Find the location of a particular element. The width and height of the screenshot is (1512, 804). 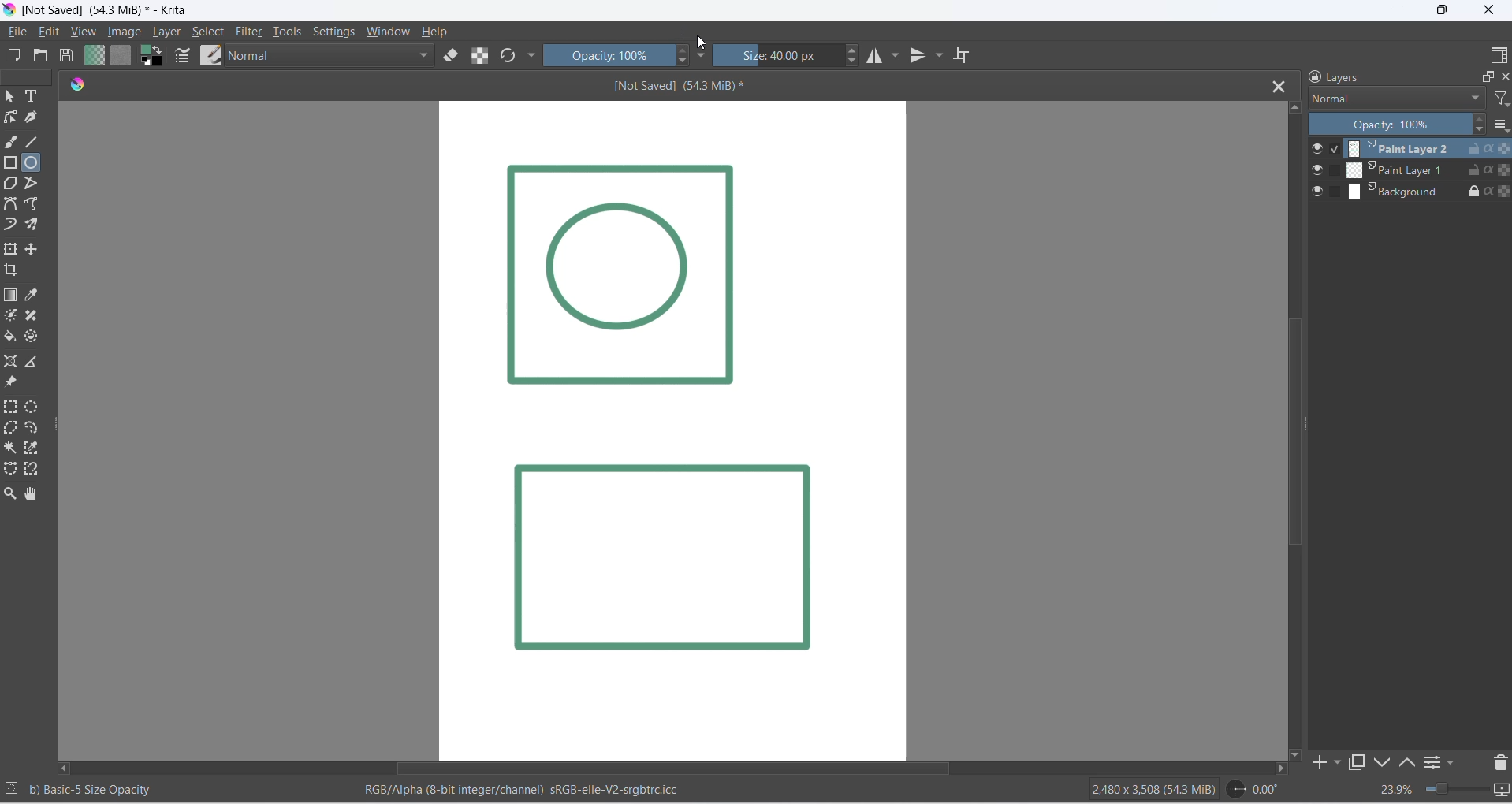

app icon is located at coordinates (10, 10).